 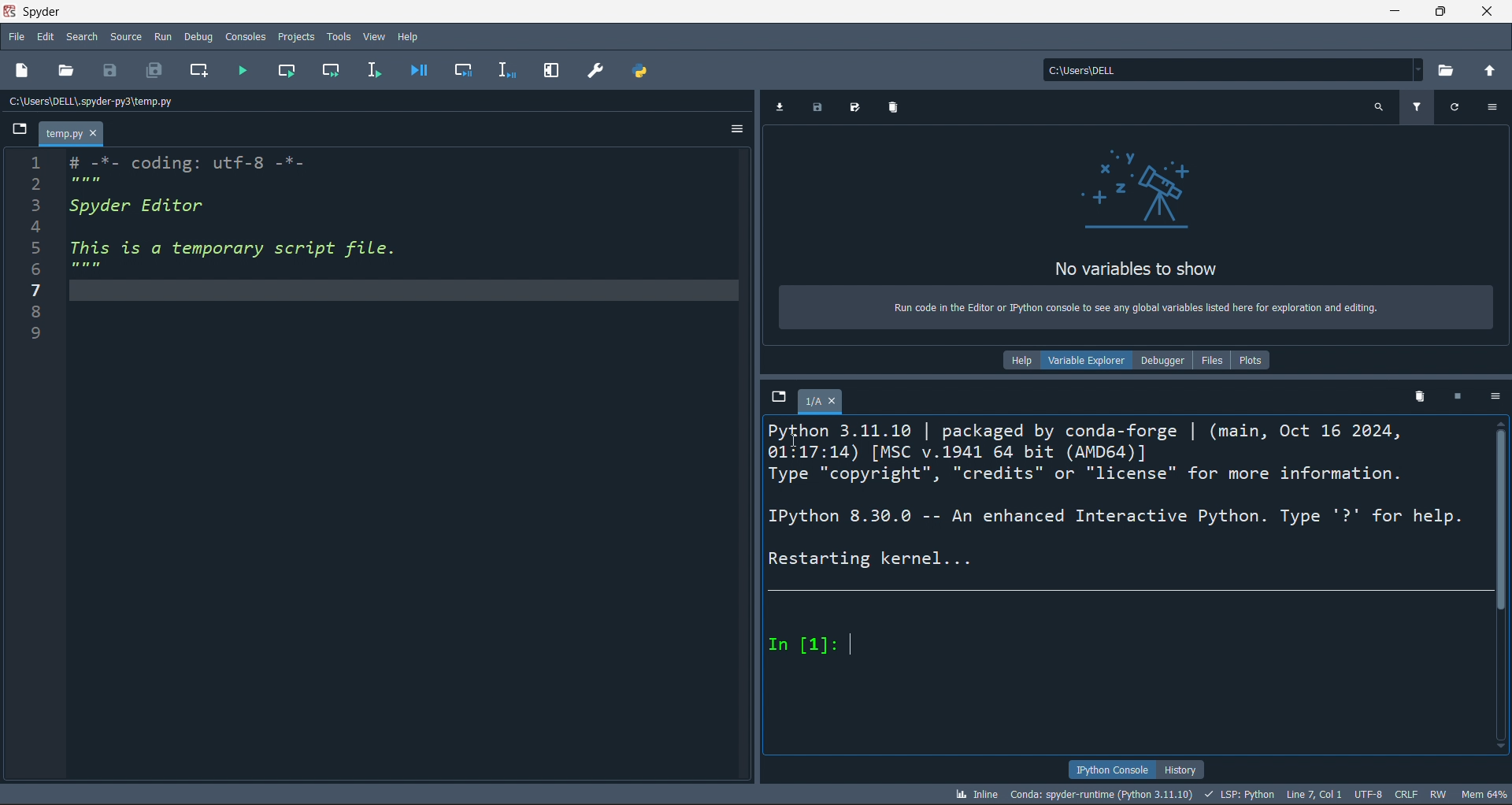 What do you see at coordinates (1451, 107) in the screenshot?
I see `refresh` at bounding box center [1451, 107].